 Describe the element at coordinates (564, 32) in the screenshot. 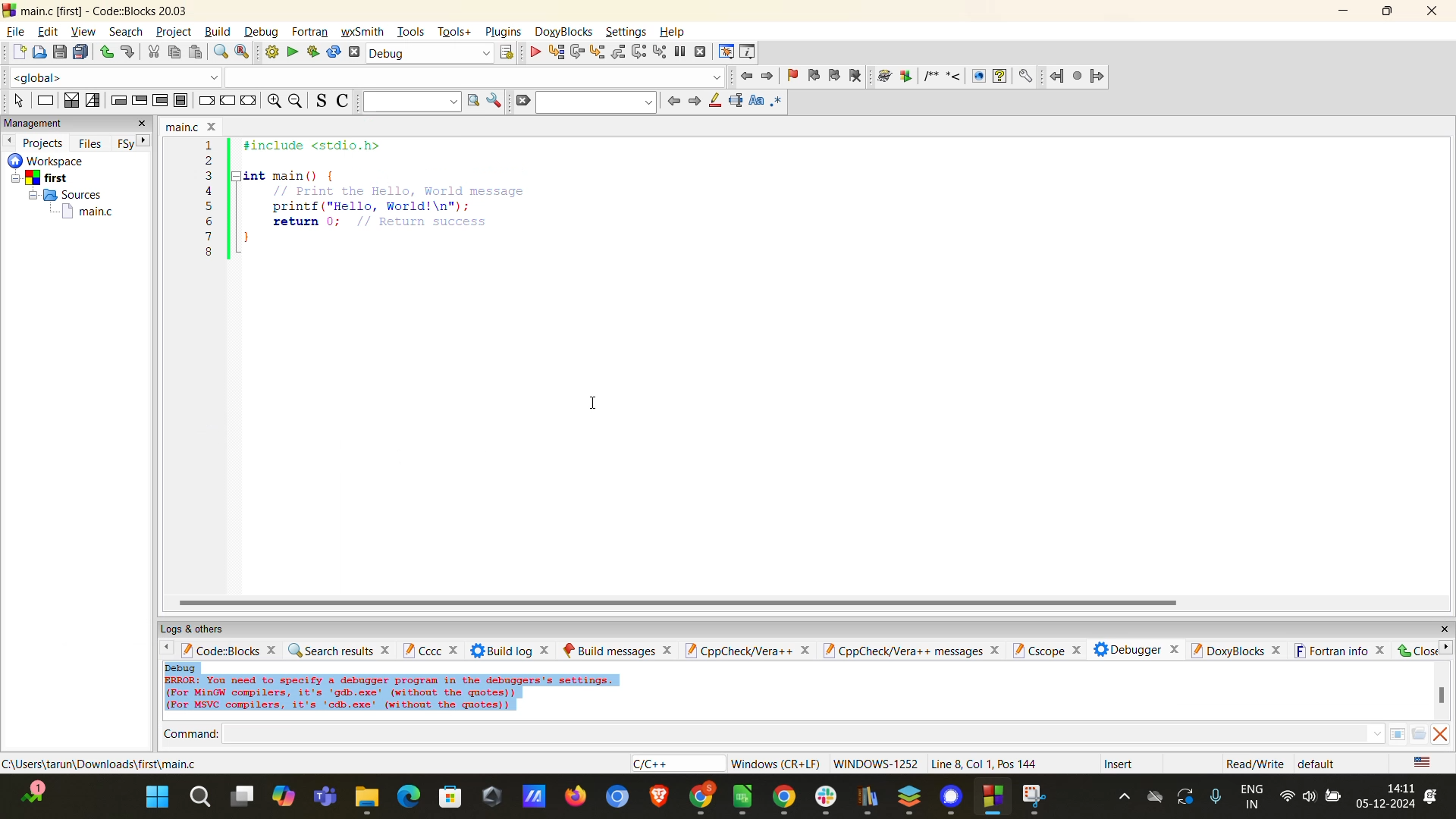

I see `doxyblocks` at that location.